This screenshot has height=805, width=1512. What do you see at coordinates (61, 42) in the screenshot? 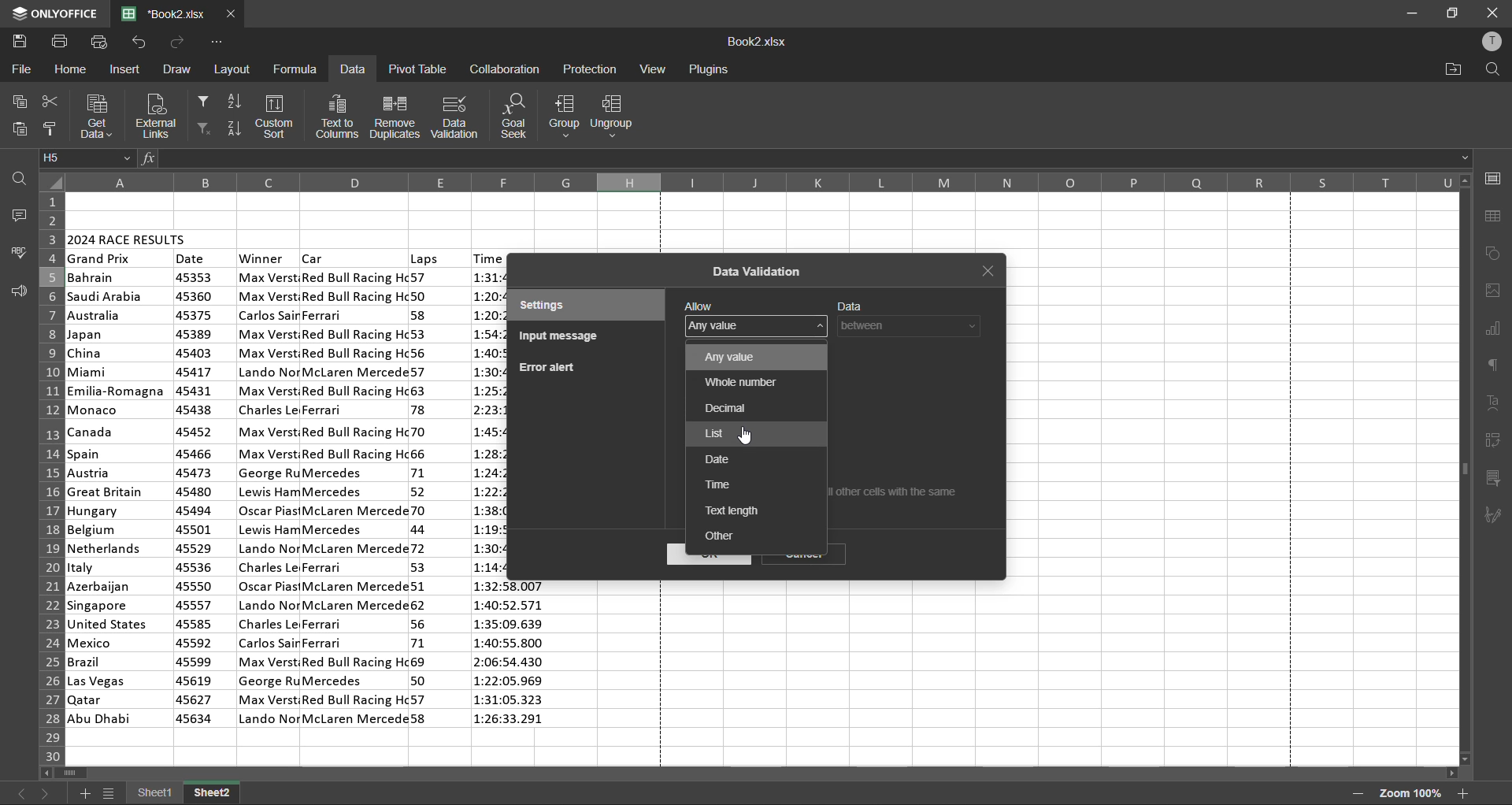
I see `print` at bounding box center [61, 42].